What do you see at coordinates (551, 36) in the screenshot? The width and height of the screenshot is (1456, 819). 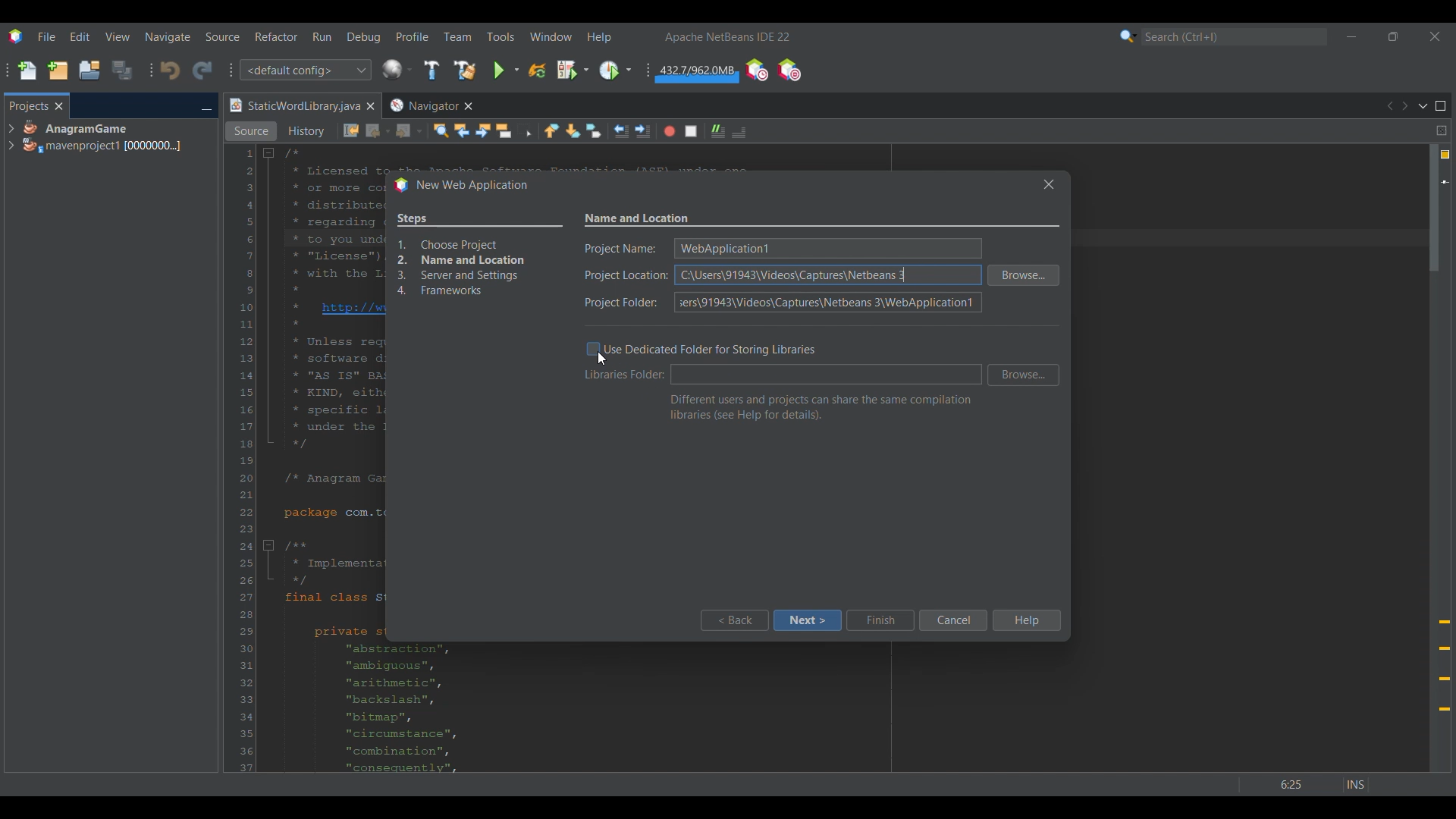 I see `Window menu` at bounding box center [551, 36].